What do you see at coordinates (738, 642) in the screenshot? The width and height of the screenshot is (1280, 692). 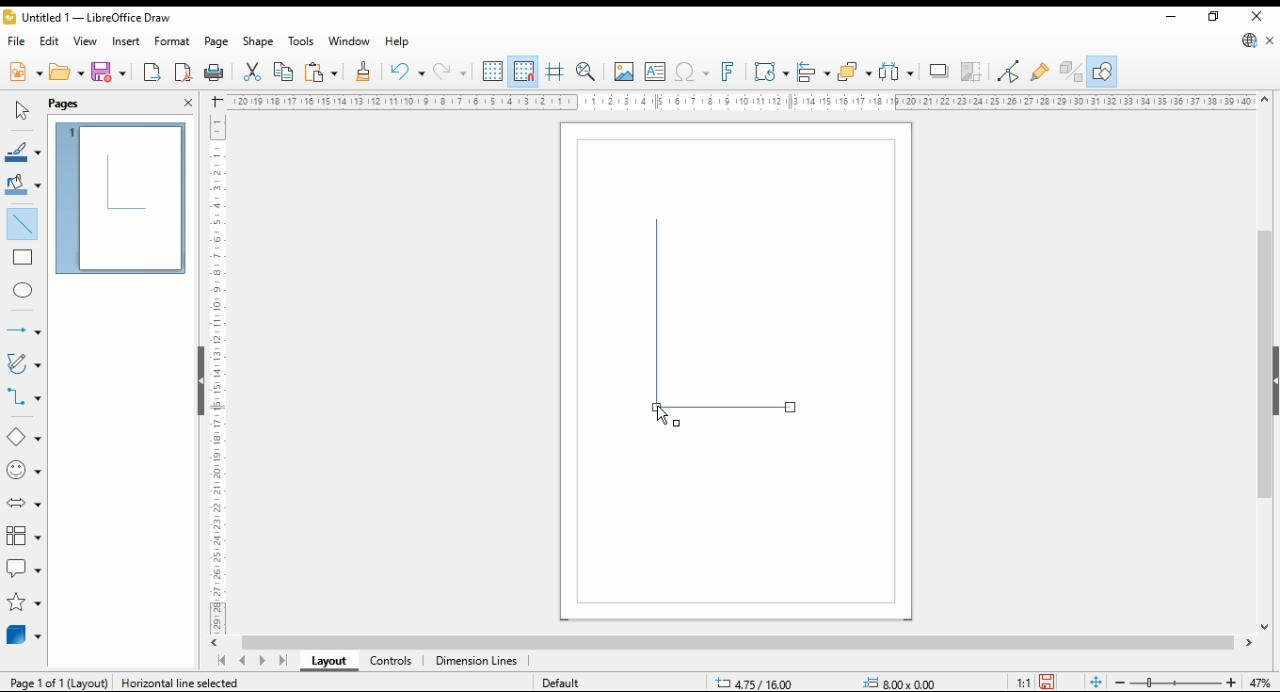 I see `scroll bar` at bounding box center [738, 642].